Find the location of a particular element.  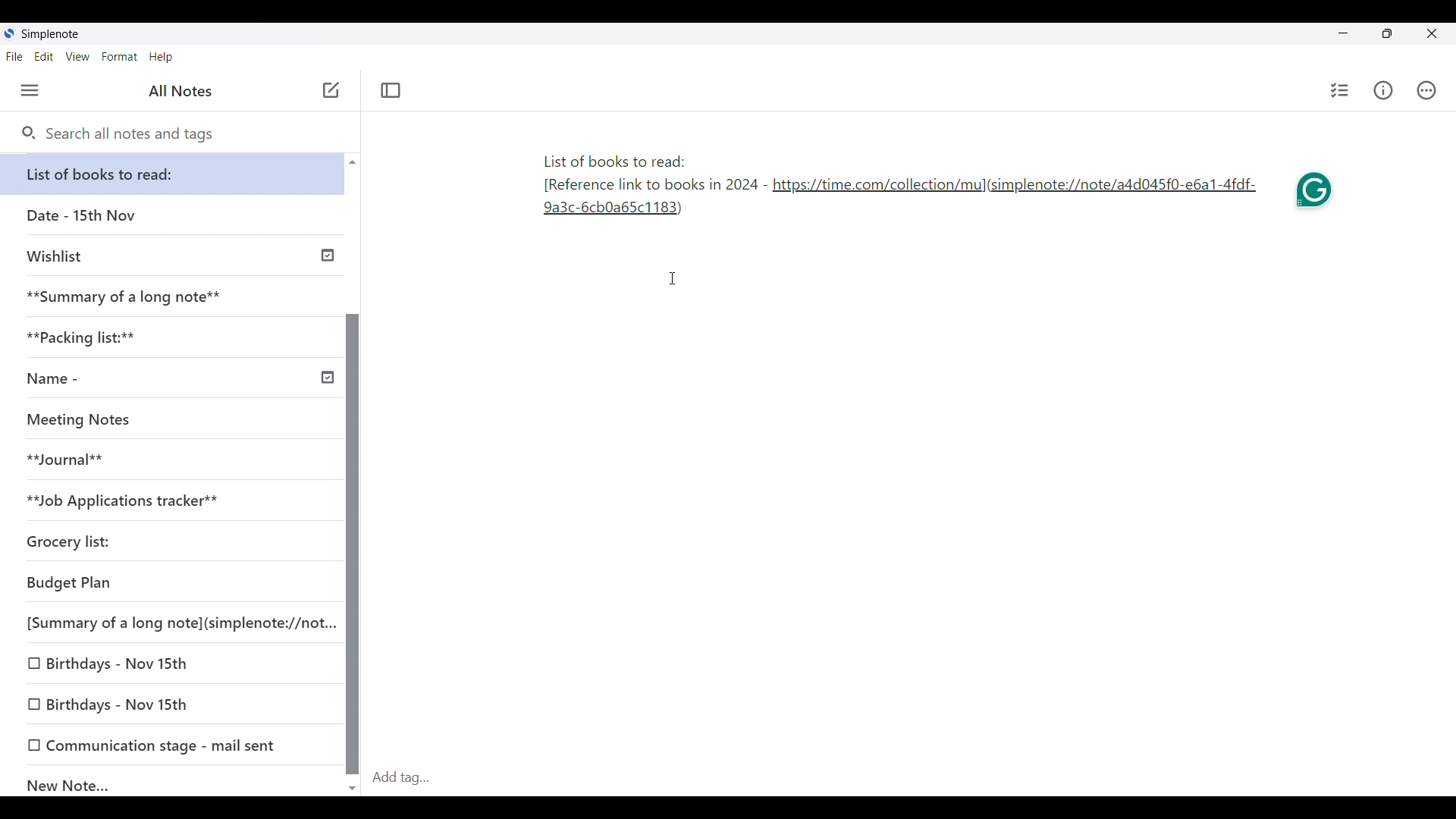

Minimize is located at coordinates (1340, 32).